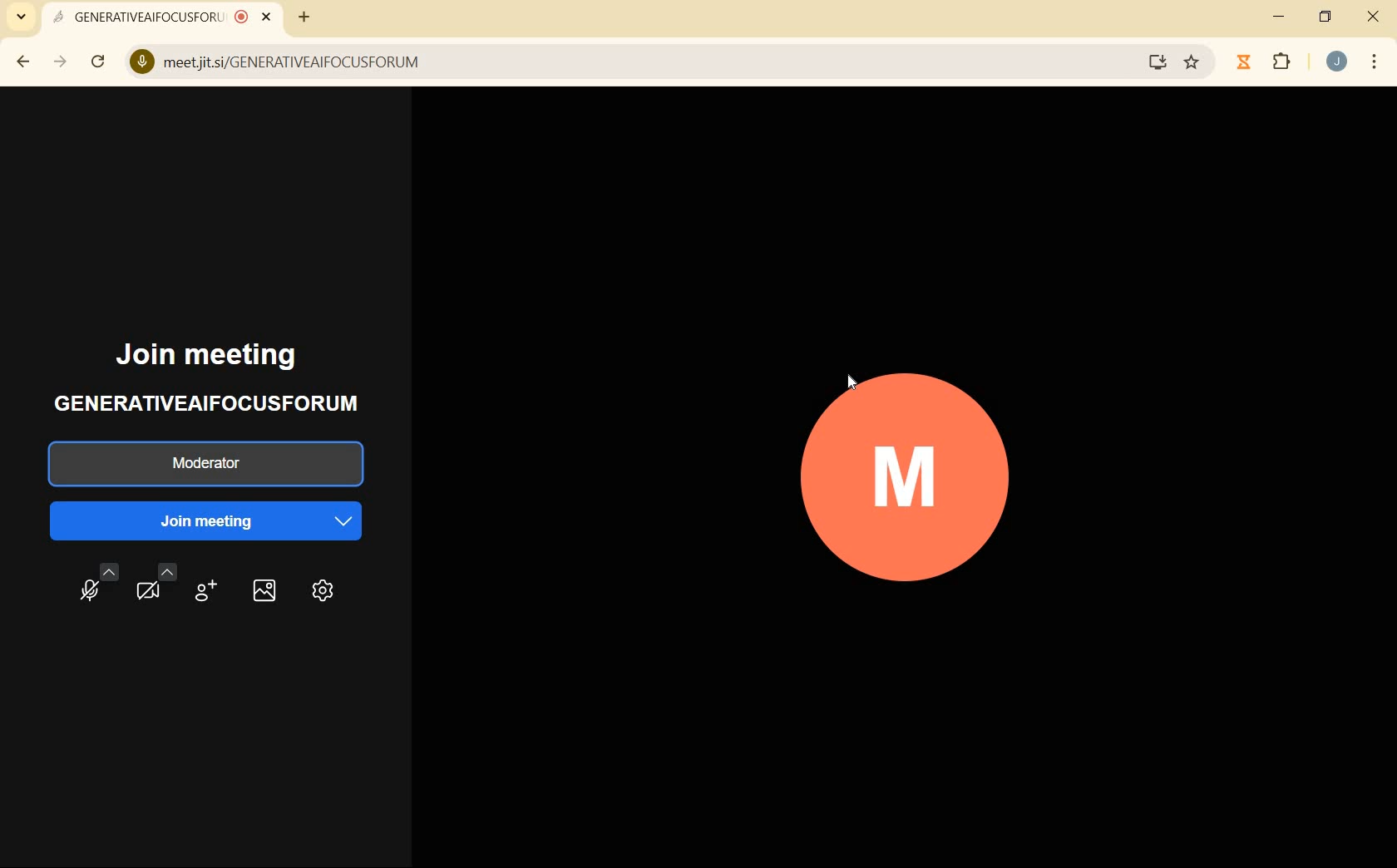 This screenshot has width=1397, height=868. I want to click on RELOAD, so click(98, 62).